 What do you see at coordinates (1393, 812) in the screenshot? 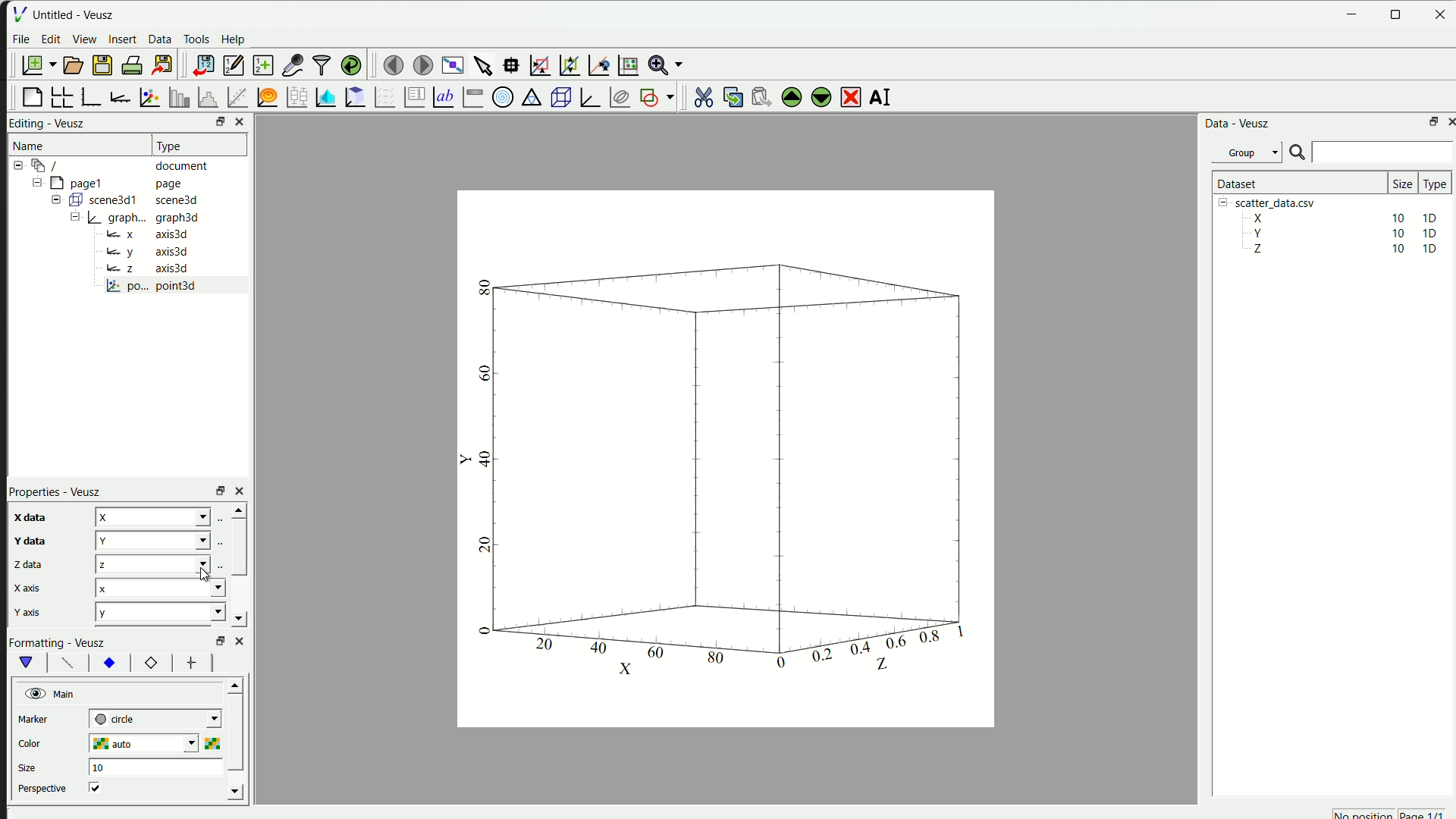
I see `no position page 1/1` at bounding box center [1393, 812].